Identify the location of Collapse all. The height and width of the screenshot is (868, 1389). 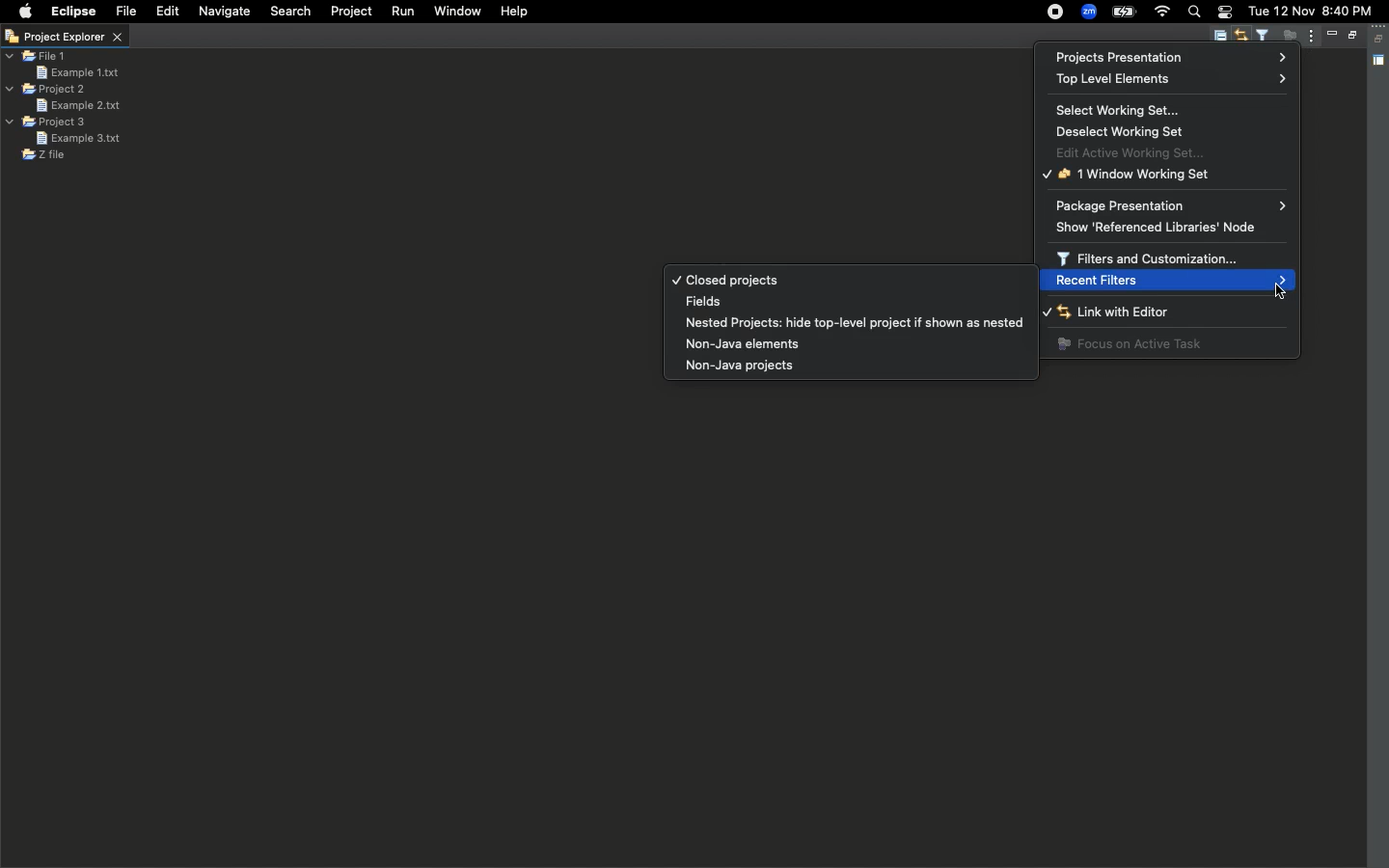
(1380, 39).